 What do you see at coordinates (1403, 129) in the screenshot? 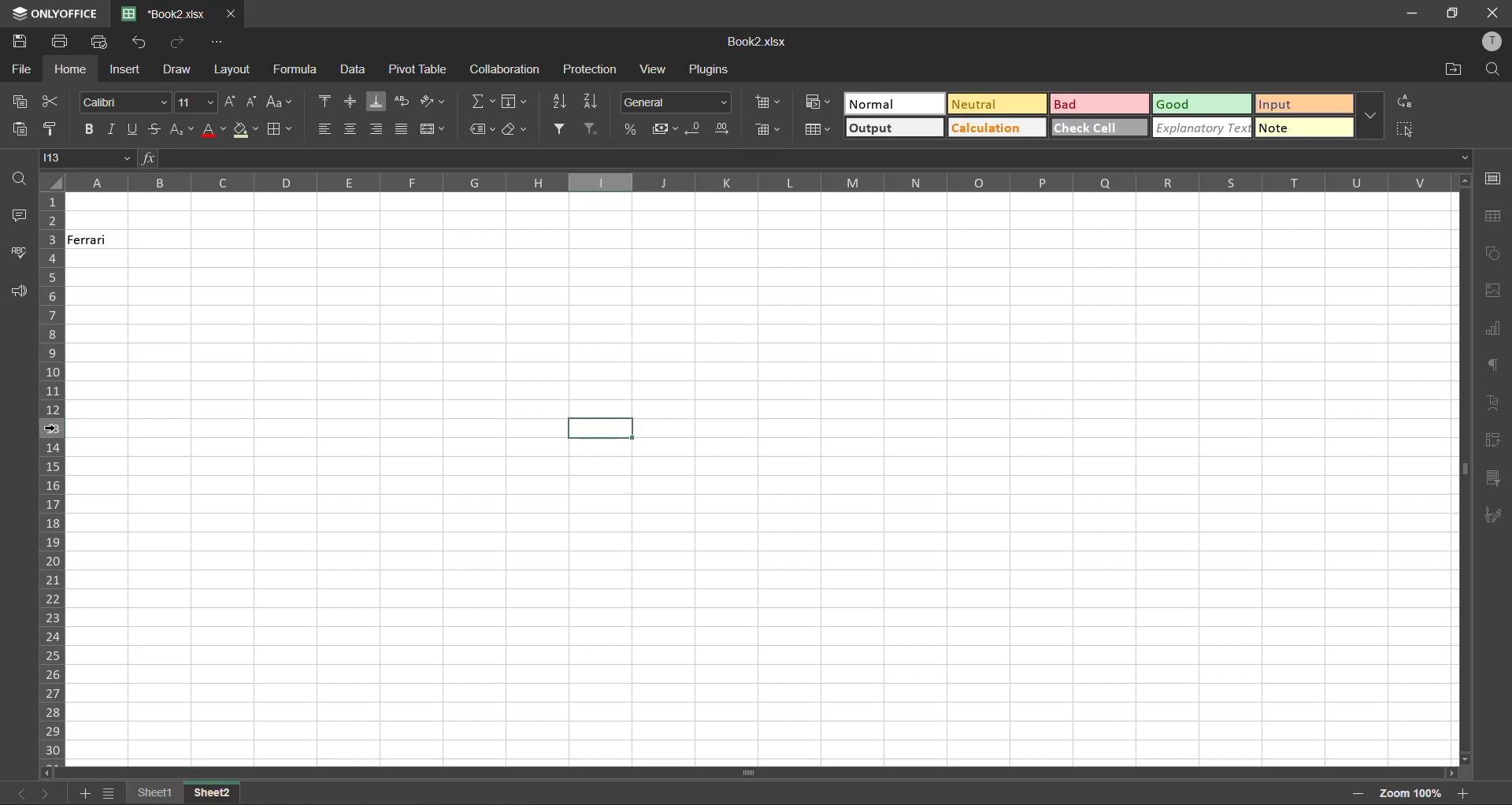
I see `select all` at bounding box center [1403, 129].